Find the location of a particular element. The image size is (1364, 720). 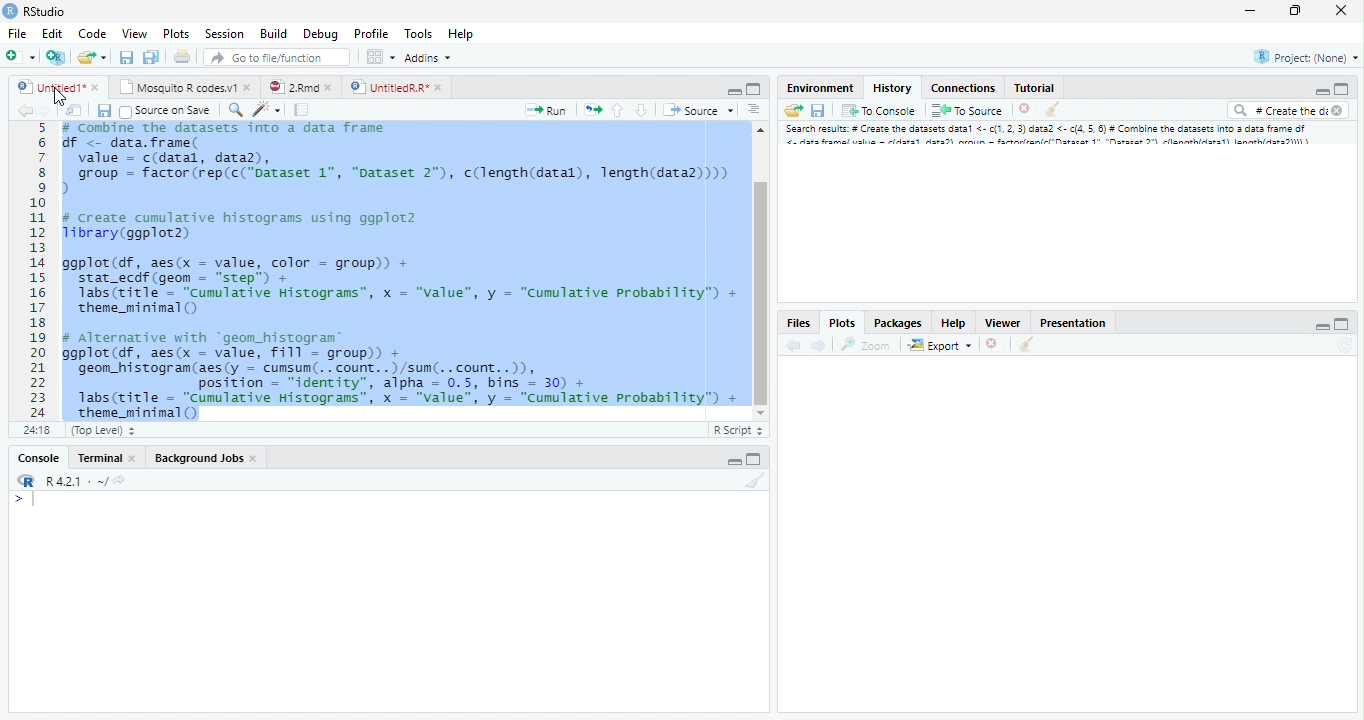

Zoom is located at coordinates (864, 346).